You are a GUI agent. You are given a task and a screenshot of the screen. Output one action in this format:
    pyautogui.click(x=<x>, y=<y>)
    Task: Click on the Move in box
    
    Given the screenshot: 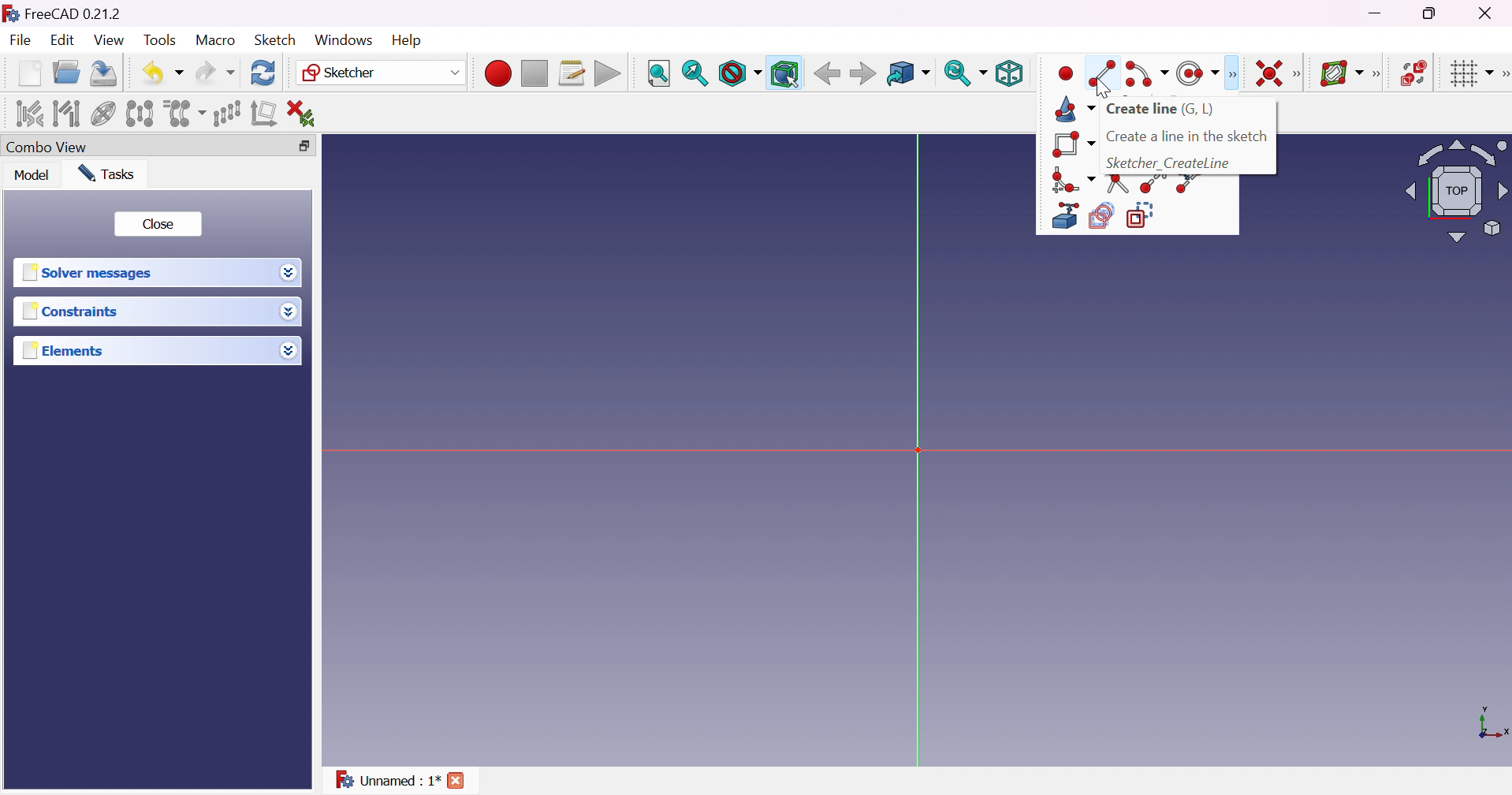 What is the action you would take?
    pyautogui.click(x=907, y=74)
    